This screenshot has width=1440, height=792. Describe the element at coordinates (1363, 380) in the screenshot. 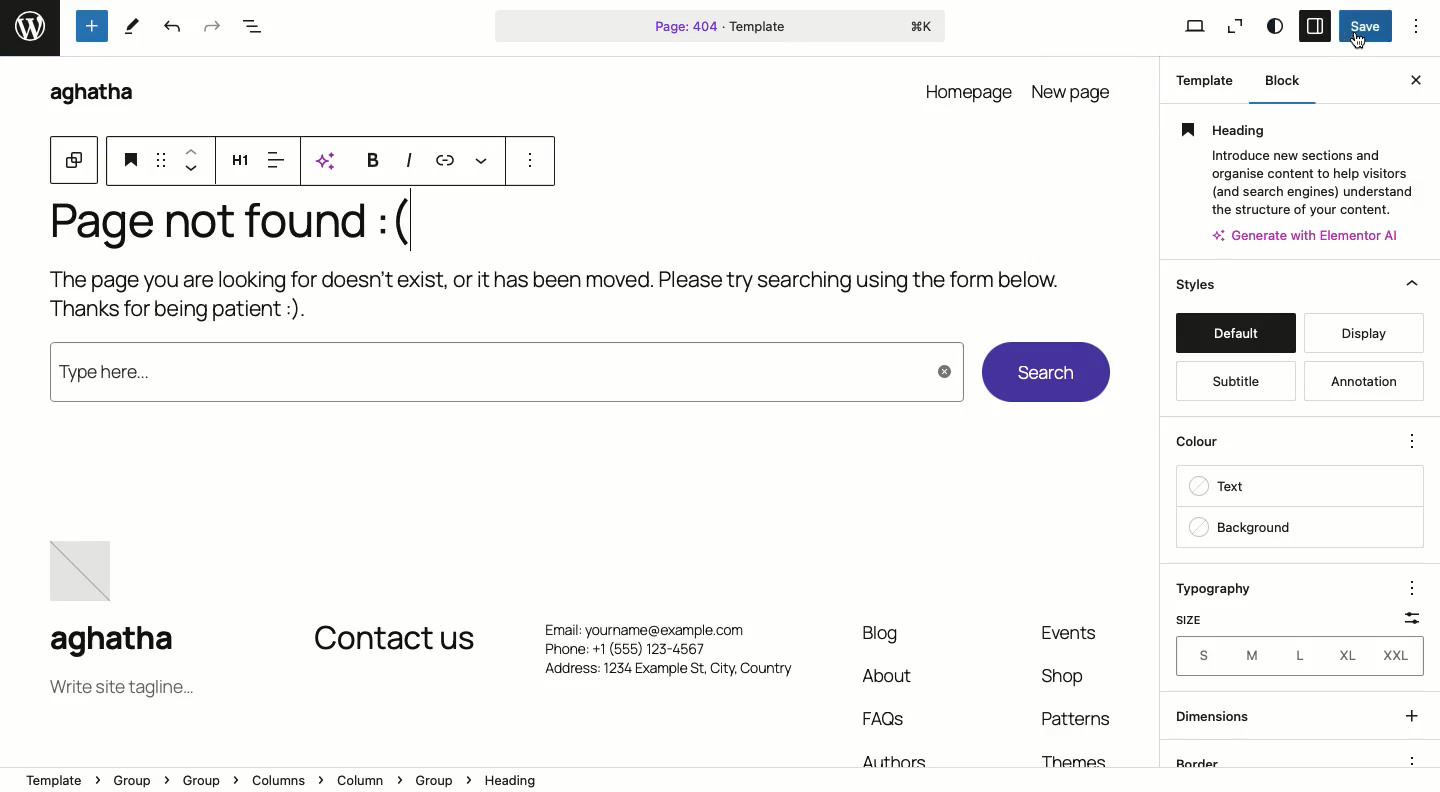

I see `annotation` at that location.